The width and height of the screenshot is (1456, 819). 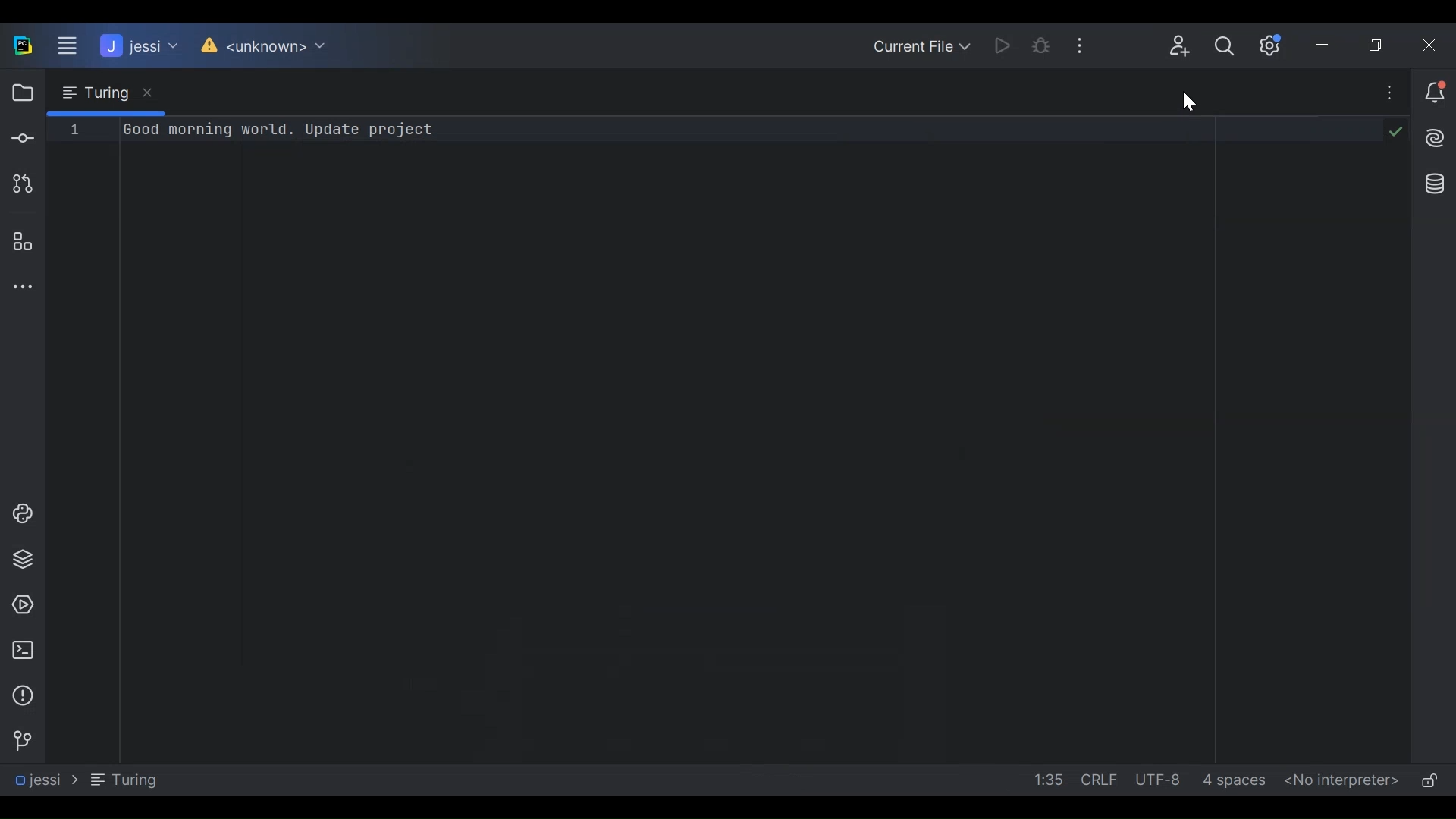 I want to click on Project View, so click(x=21, y=93).